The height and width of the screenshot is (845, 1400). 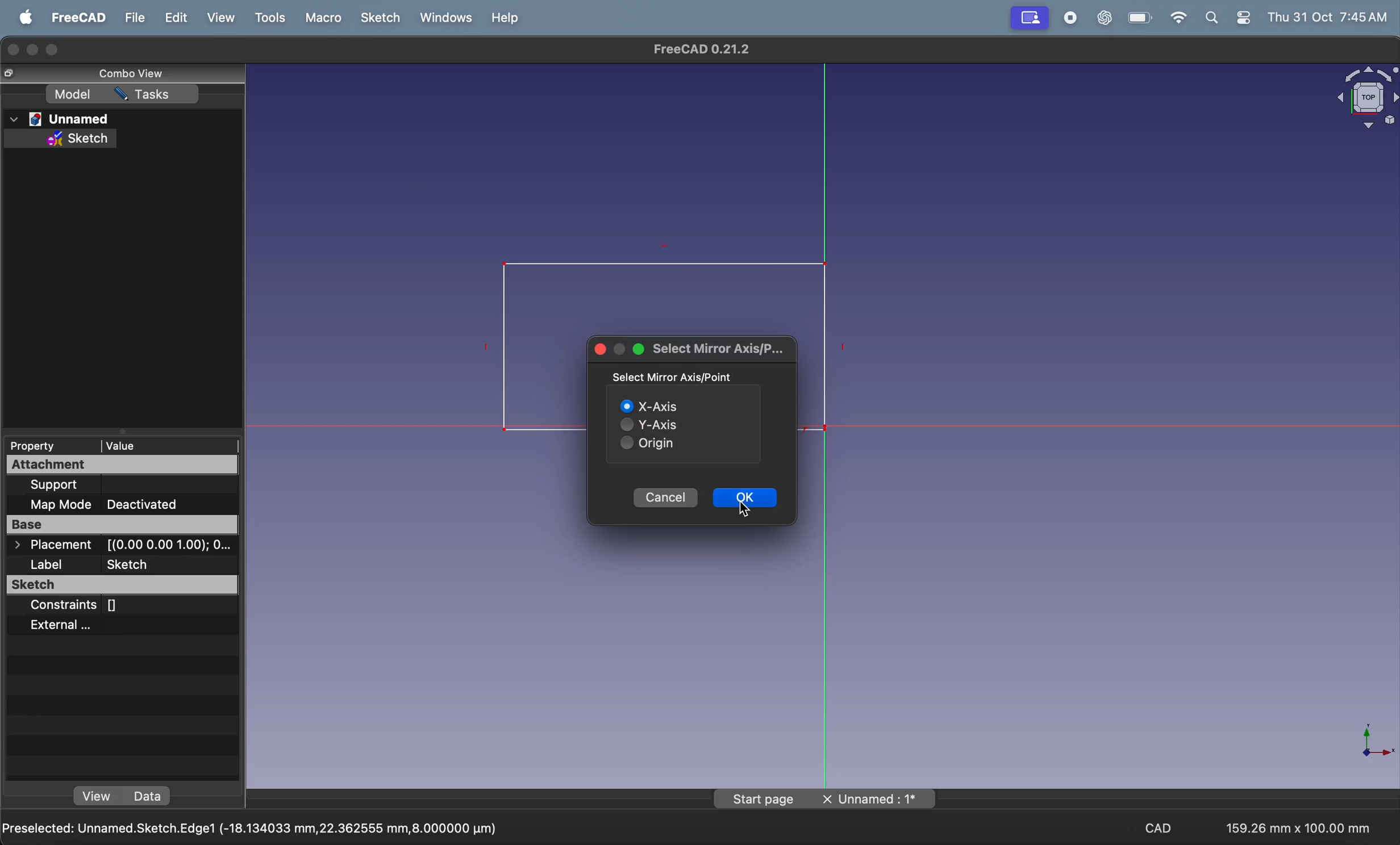 What do you see at coordinates (1176, 18) in the screenshot?
I see `wifi` at bounding box center [1176, 18].